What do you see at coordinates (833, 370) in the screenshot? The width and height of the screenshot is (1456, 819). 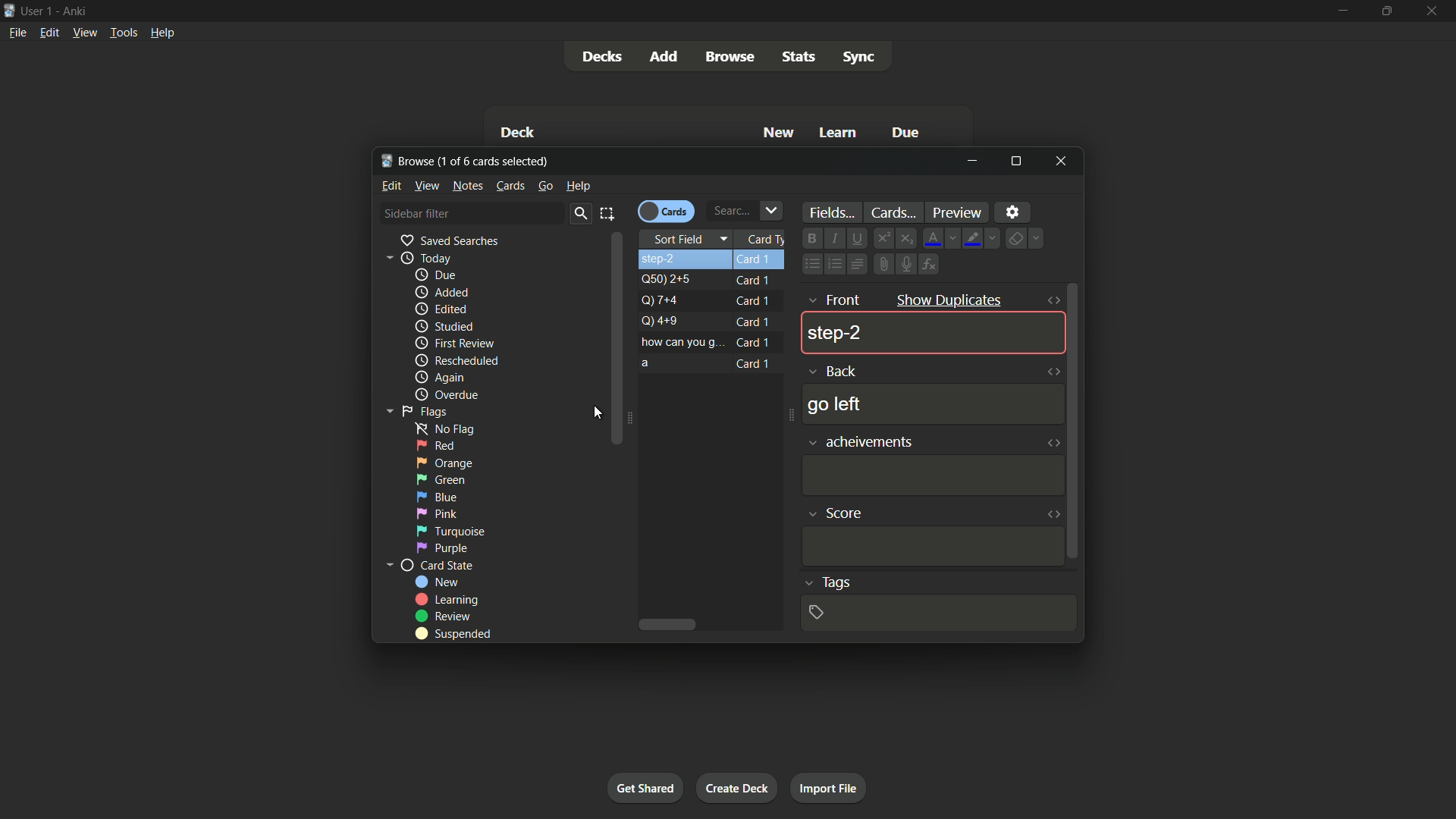 I see `back` at bounding box center [833, 370].